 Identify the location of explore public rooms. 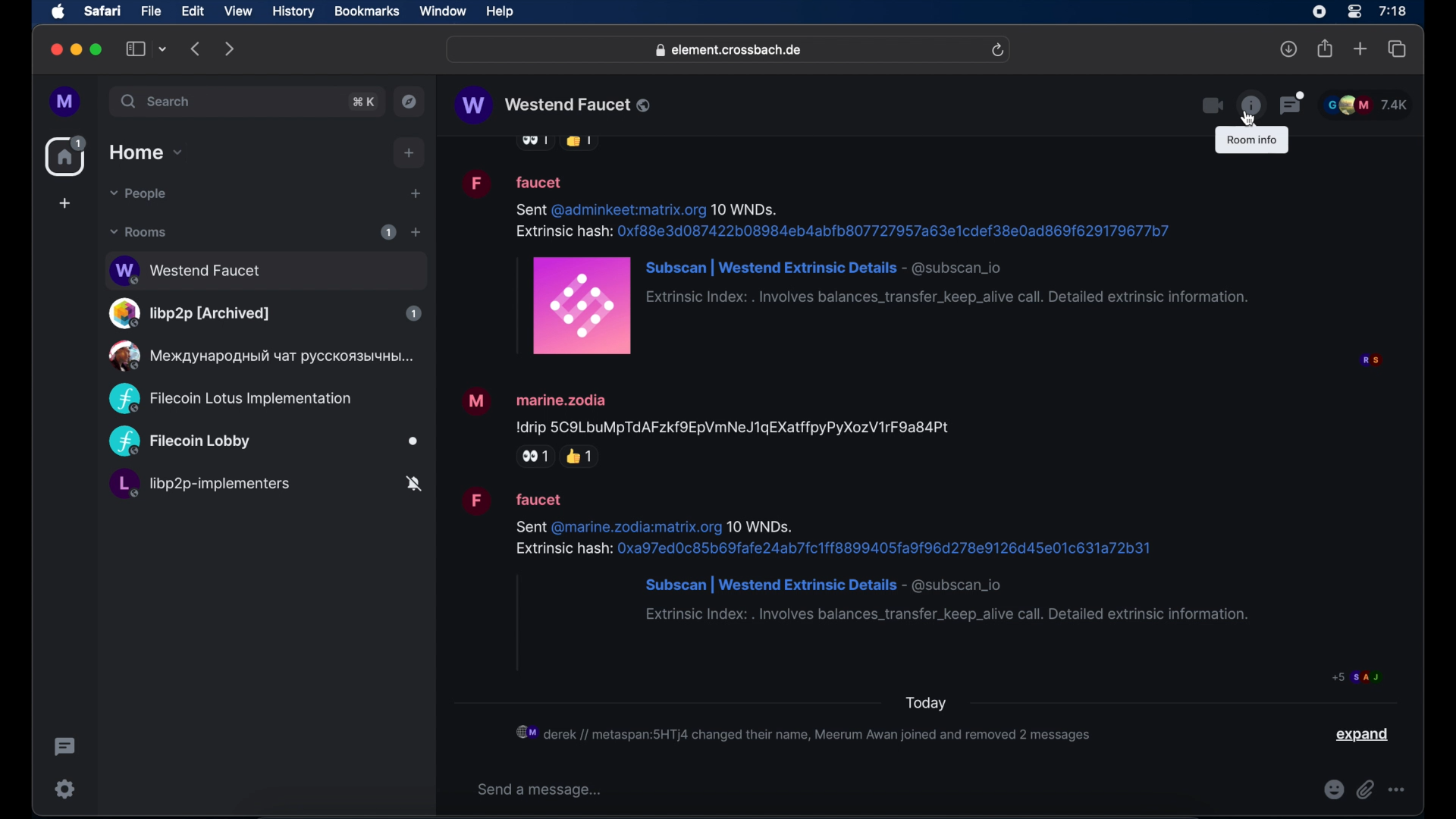
(409, 102).